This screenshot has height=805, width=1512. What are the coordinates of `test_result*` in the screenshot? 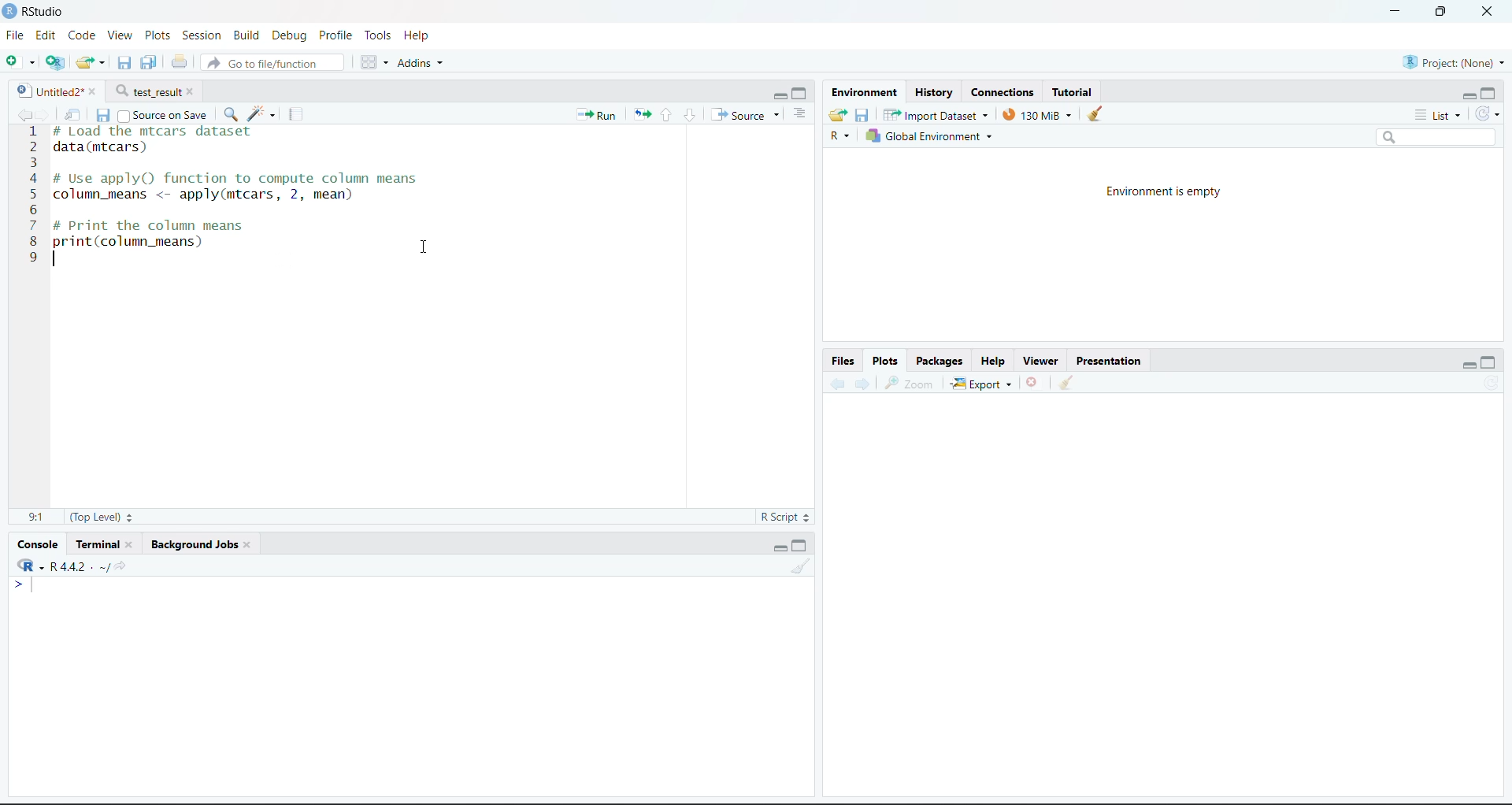 It's located at (157, 91).